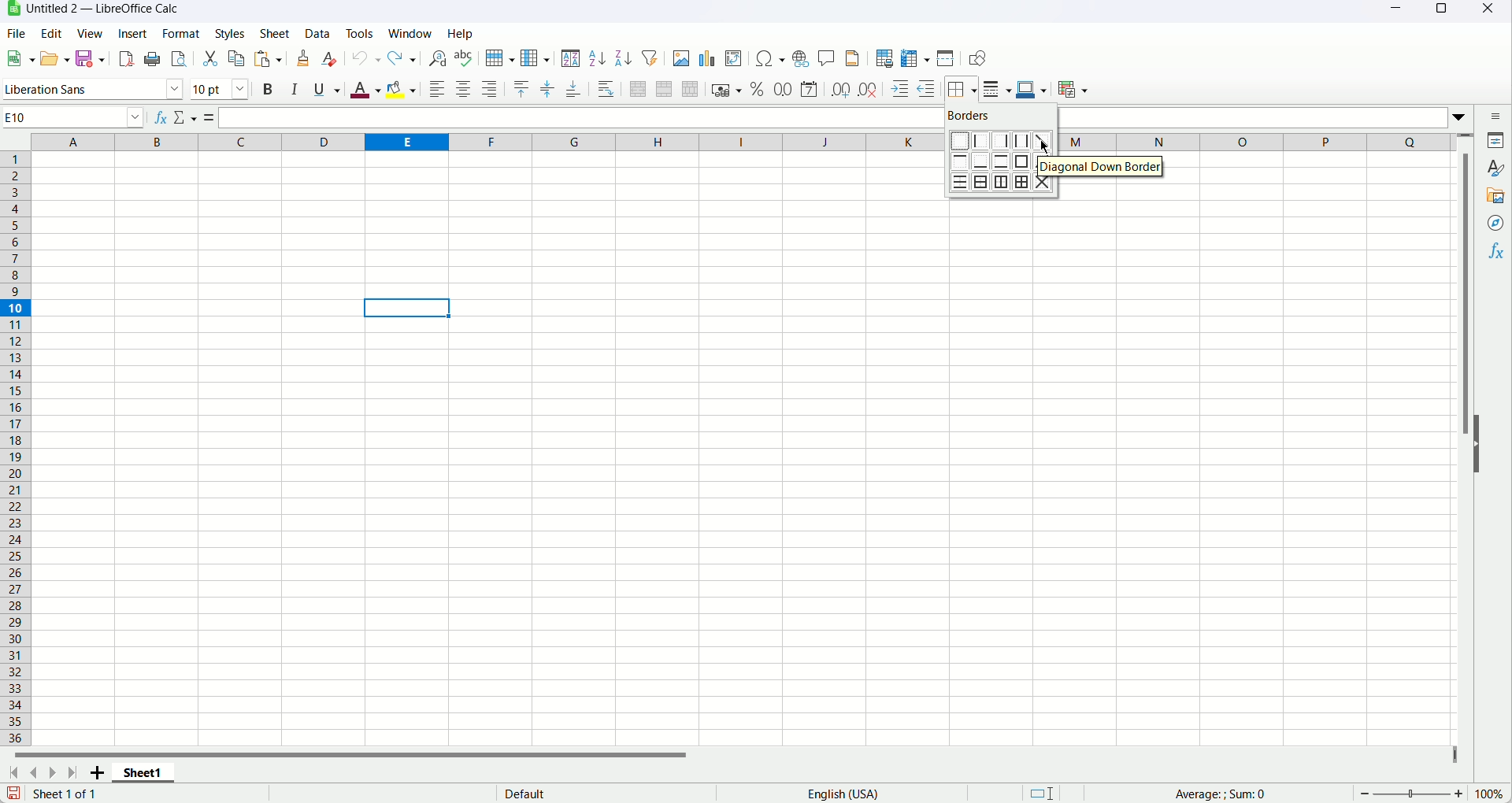 This screenshot has height=803, width=1512. Describe the element at coordinates (802, 59) in the screenshot. I see `Insert hyperlink` at that location.